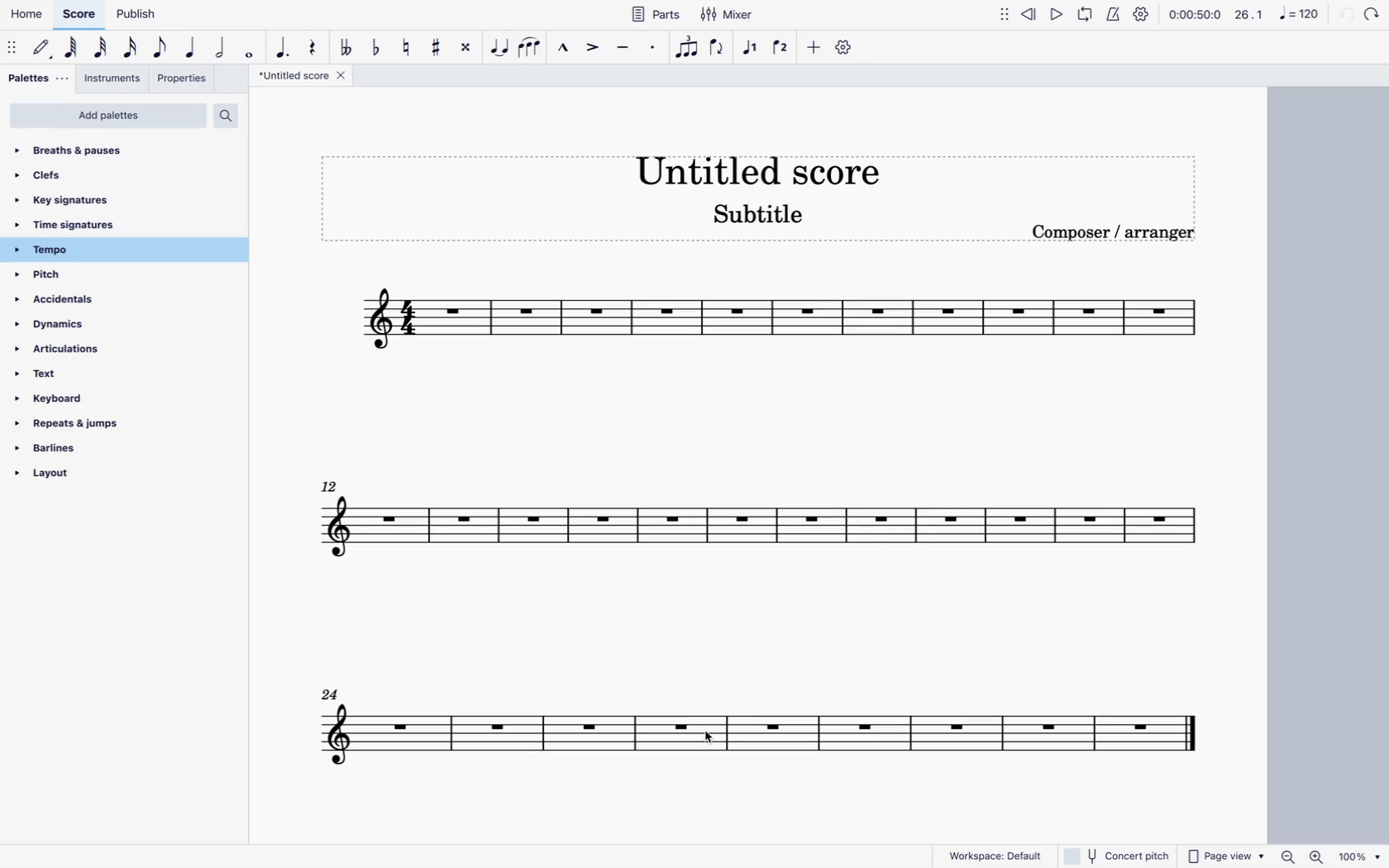  I want to click on time, so click(1194, 13).